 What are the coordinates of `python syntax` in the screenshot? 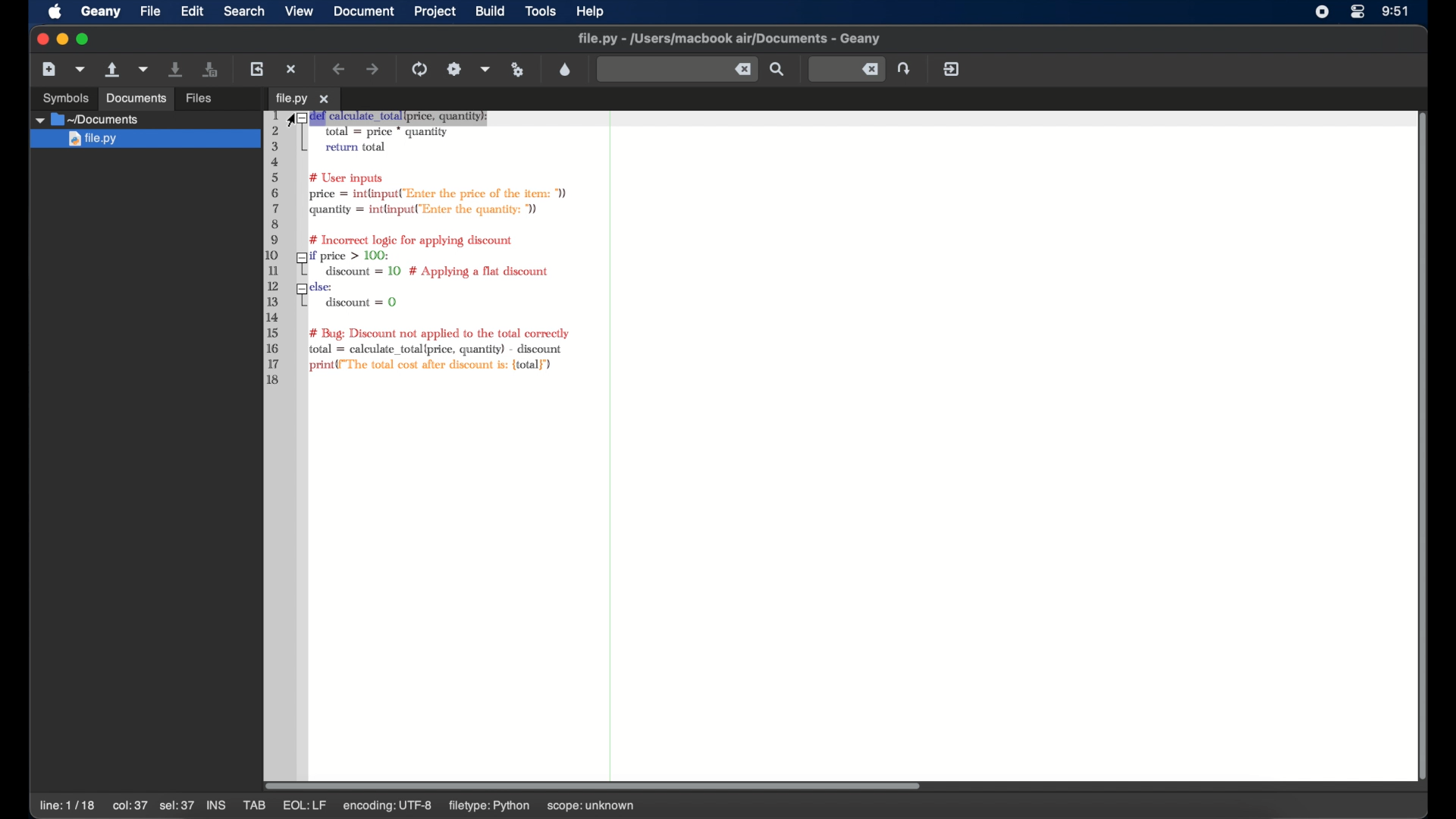 It's located at (445, 243).